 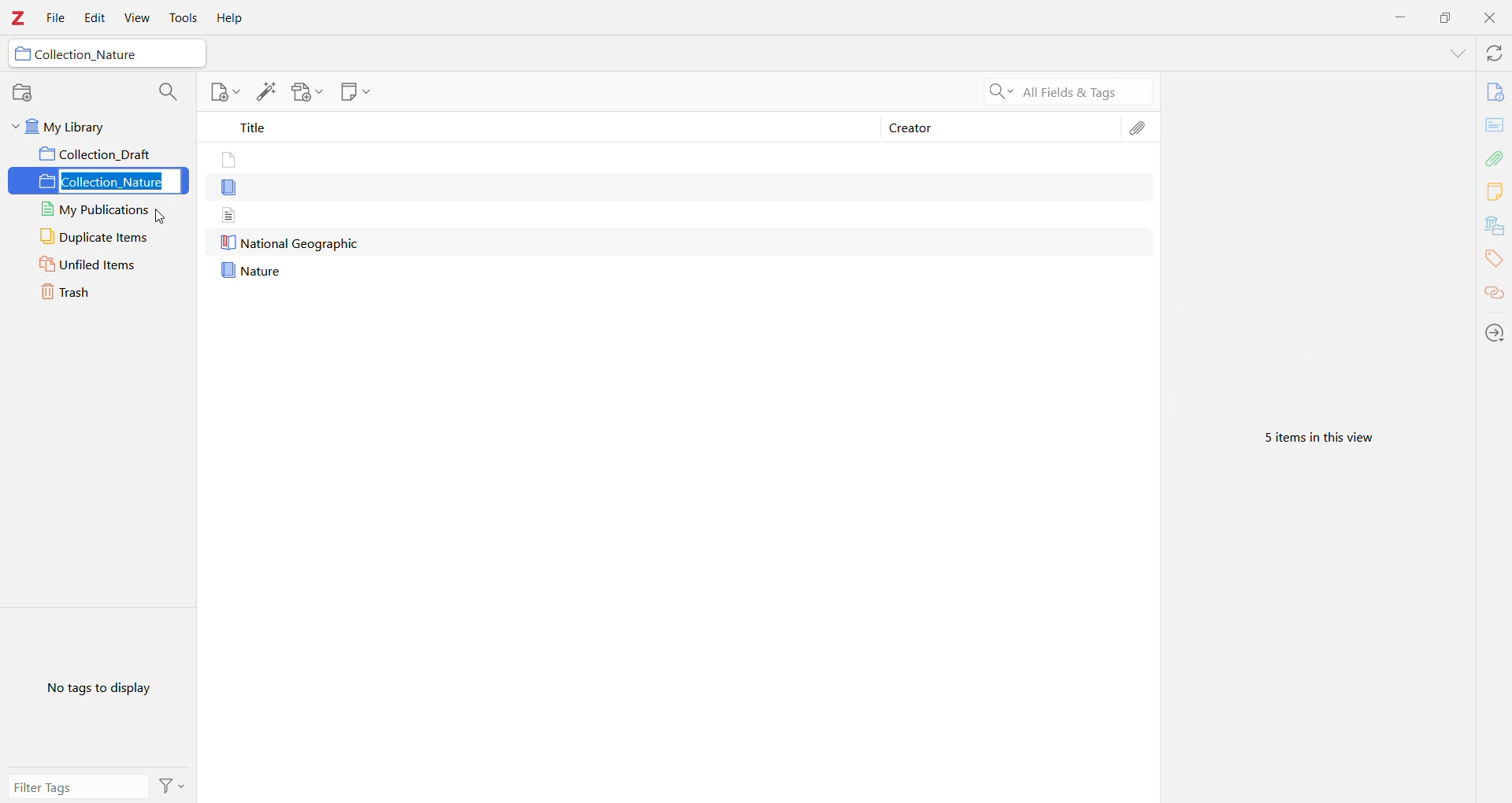 I want to click on Title, so click(x=543, y=130).